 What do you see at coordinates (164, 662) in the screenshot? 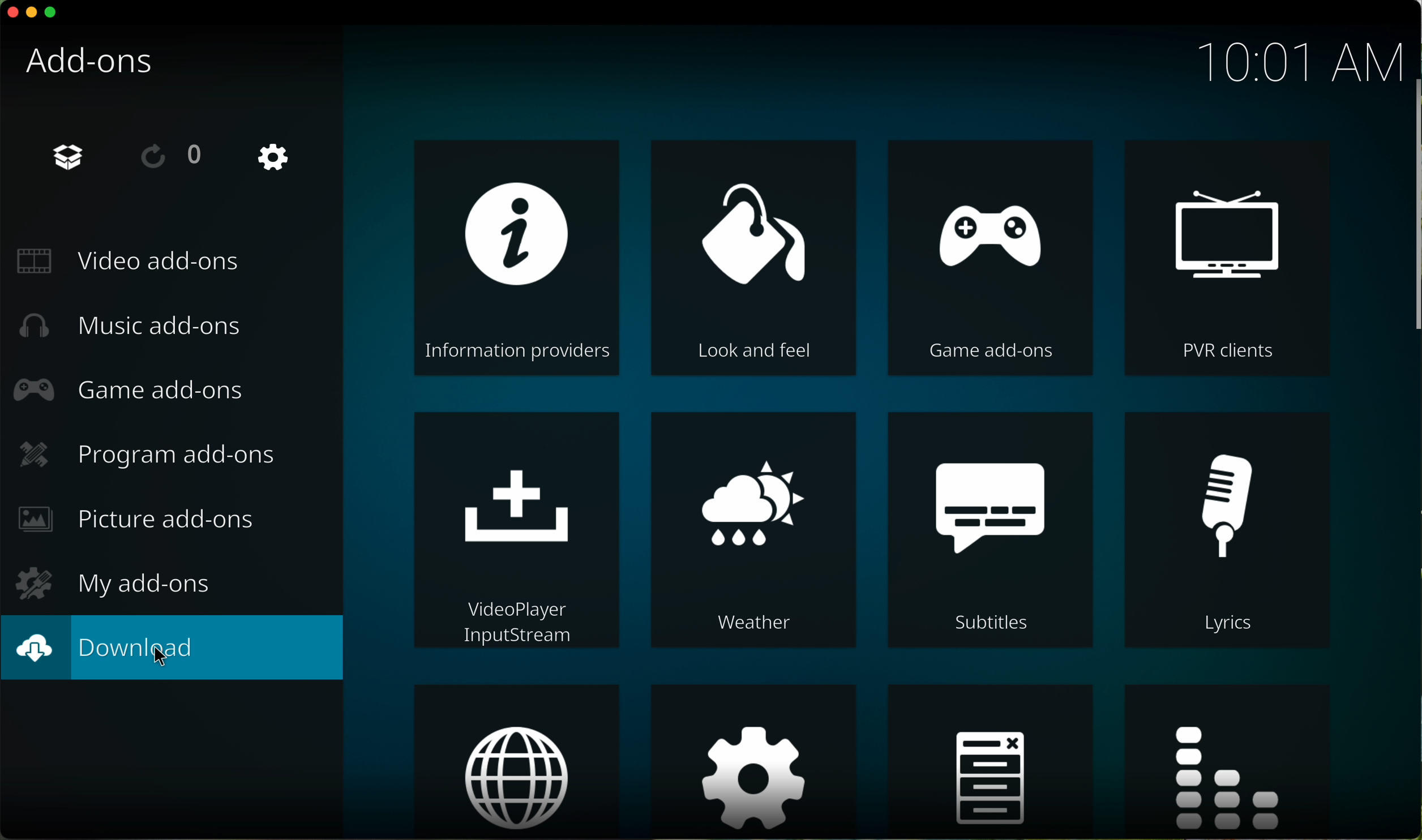
I see `cursor` at bounding box center [164, 662].